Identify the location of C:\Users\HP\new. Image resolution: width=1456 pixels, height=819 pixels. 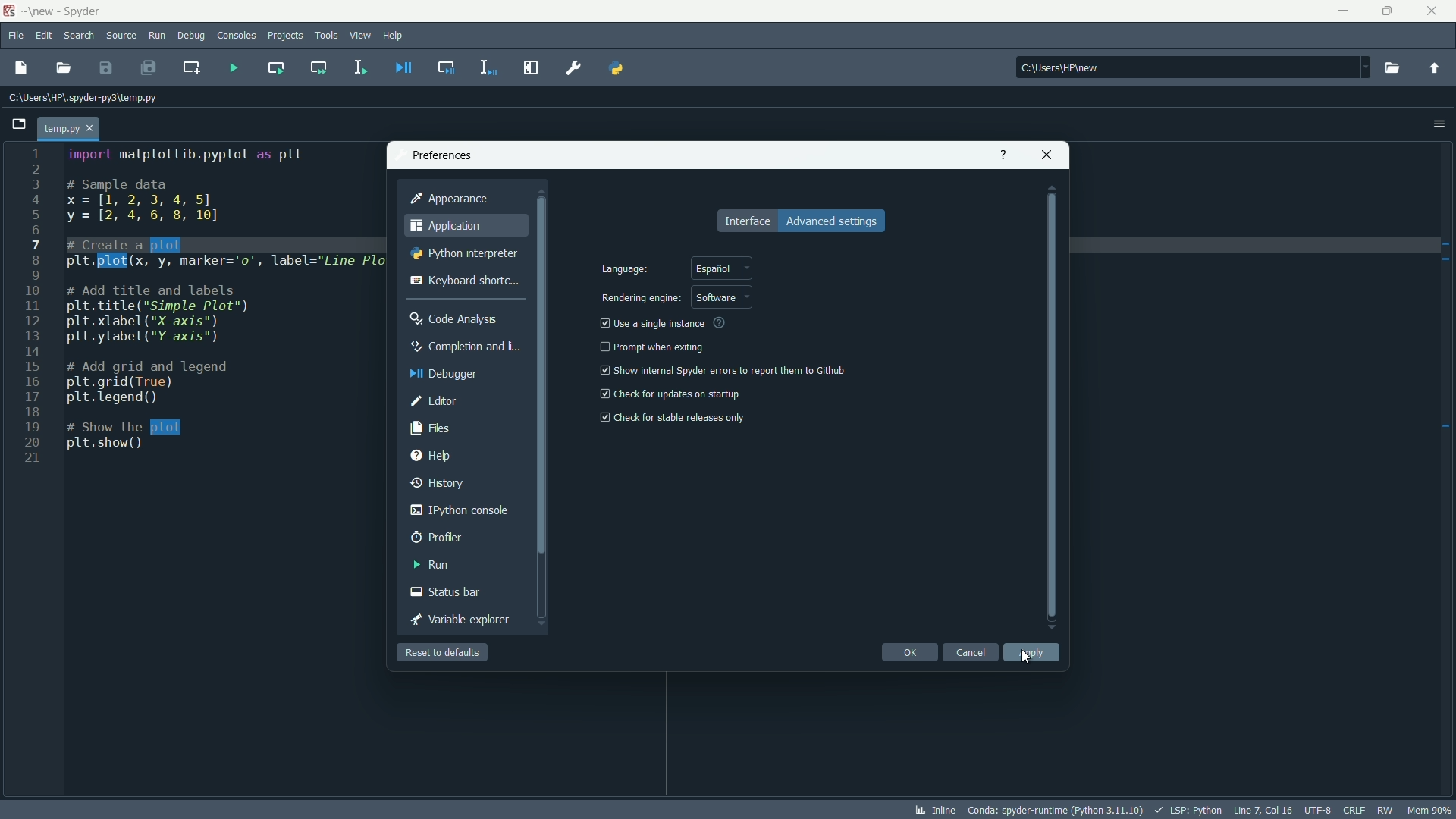
(1058, 67).